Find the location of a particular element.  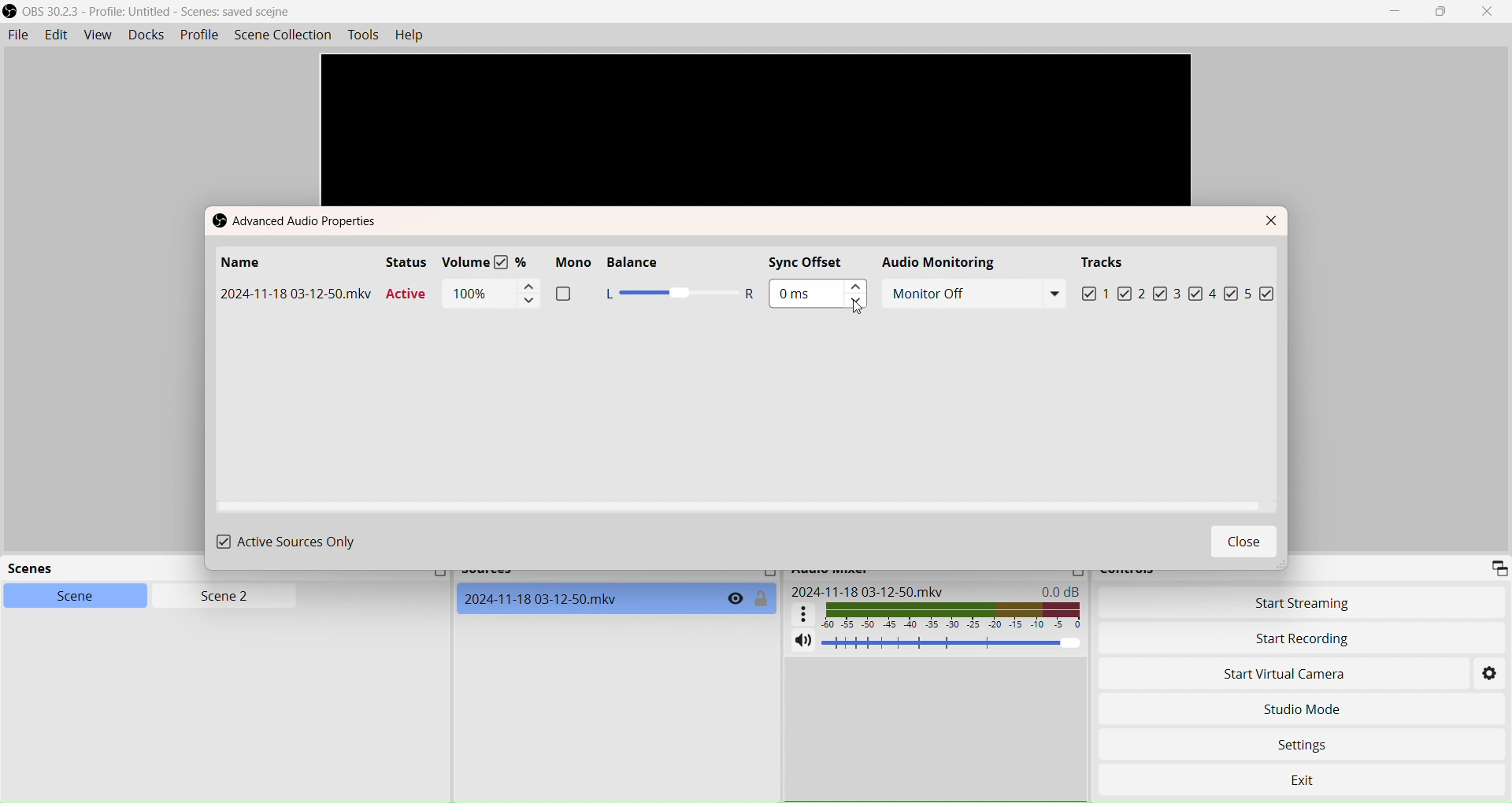

Profile is located at coordinates (199, 35).